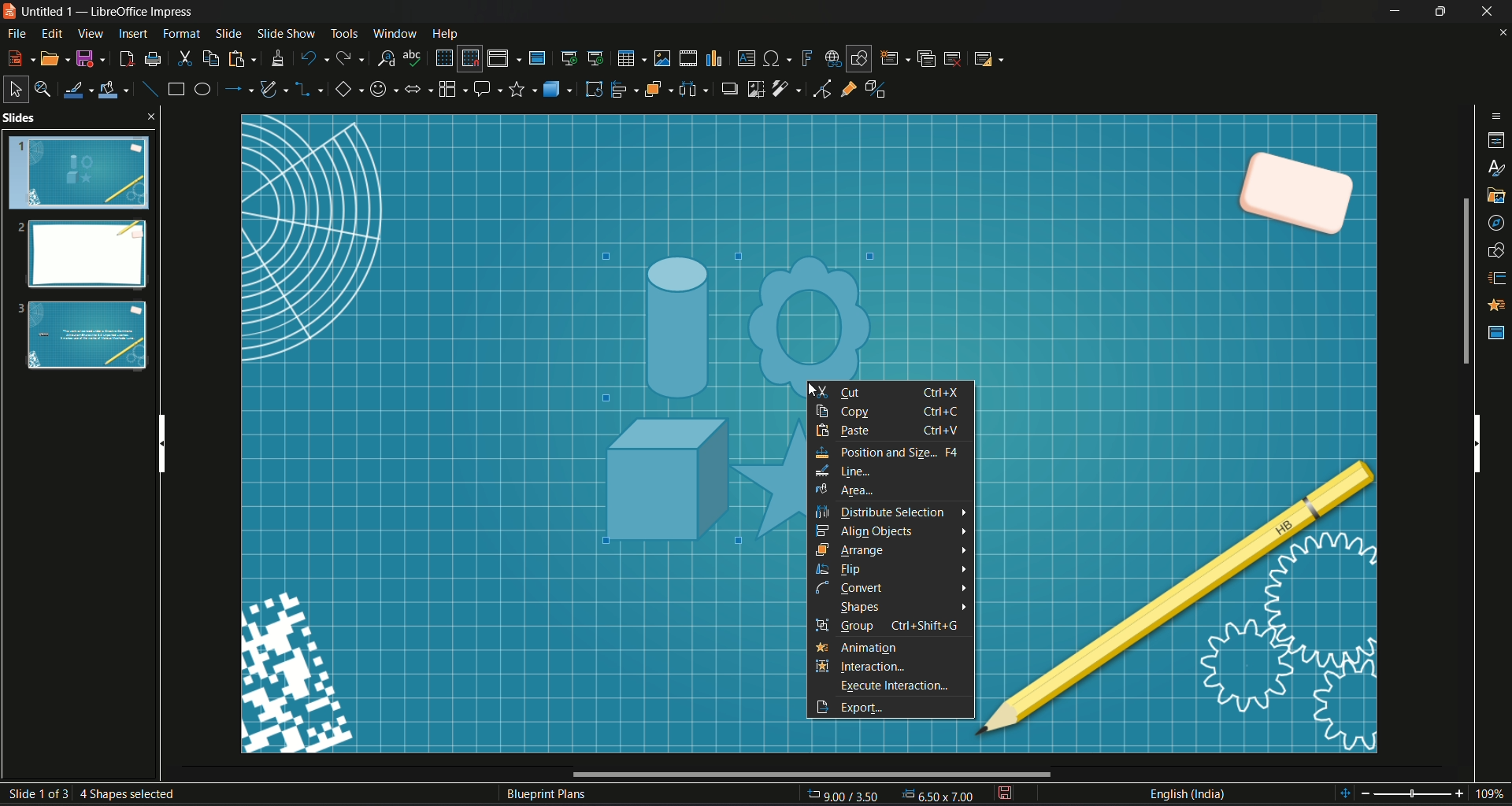 This screenshot has width=1512, height=806. Describe the element at coordinates (91, 59) in the screenshot. I see `Save` at that location.